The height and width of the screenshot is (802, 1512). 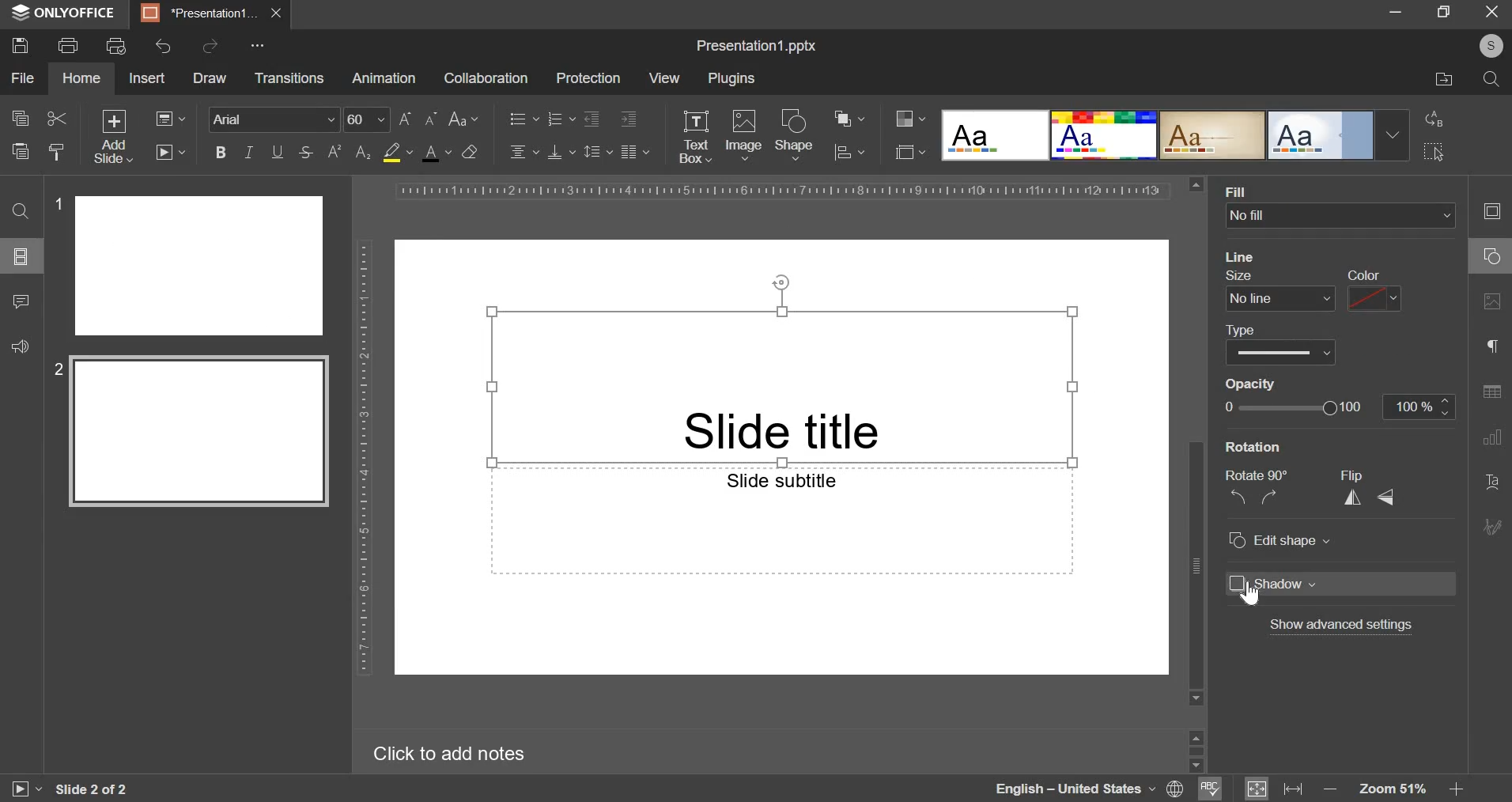 What do you see at coordinates (1249, 449) in the screenshot?
I see `rotation` at bounding box center [1249, 449].